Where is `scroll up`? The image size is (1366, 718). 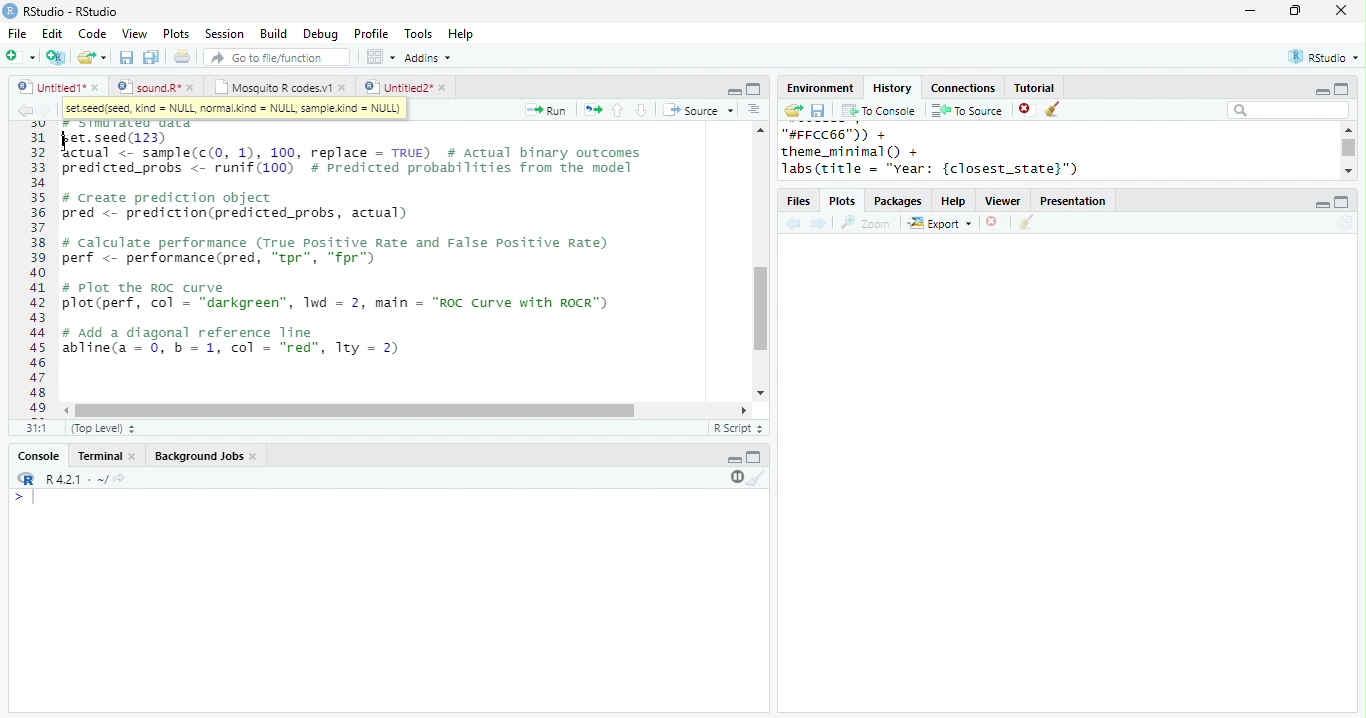 scroll up is located at coordinates (759, 129).